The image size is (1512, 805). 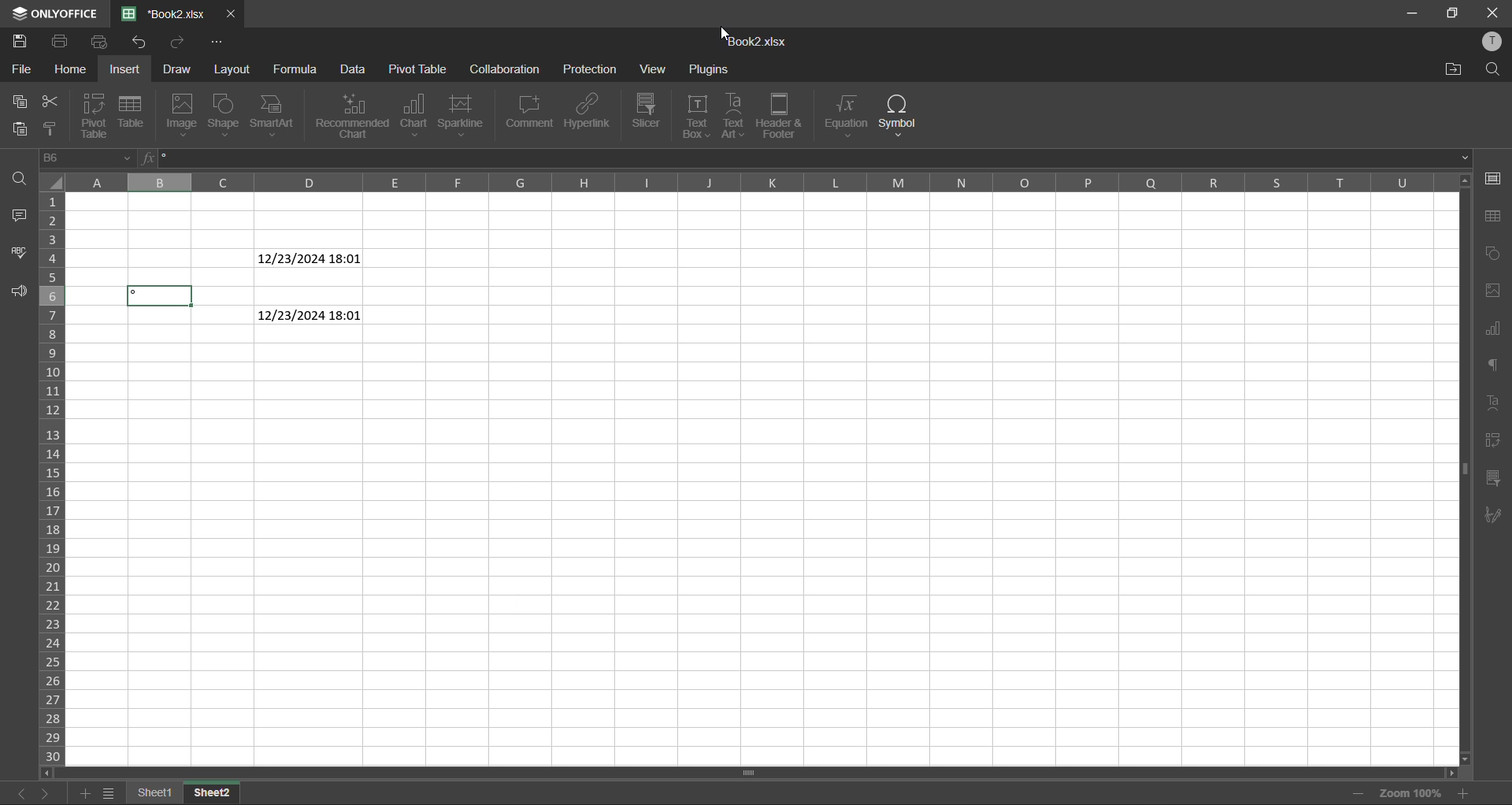 I want to click on undo, so click(x=177, y=43).